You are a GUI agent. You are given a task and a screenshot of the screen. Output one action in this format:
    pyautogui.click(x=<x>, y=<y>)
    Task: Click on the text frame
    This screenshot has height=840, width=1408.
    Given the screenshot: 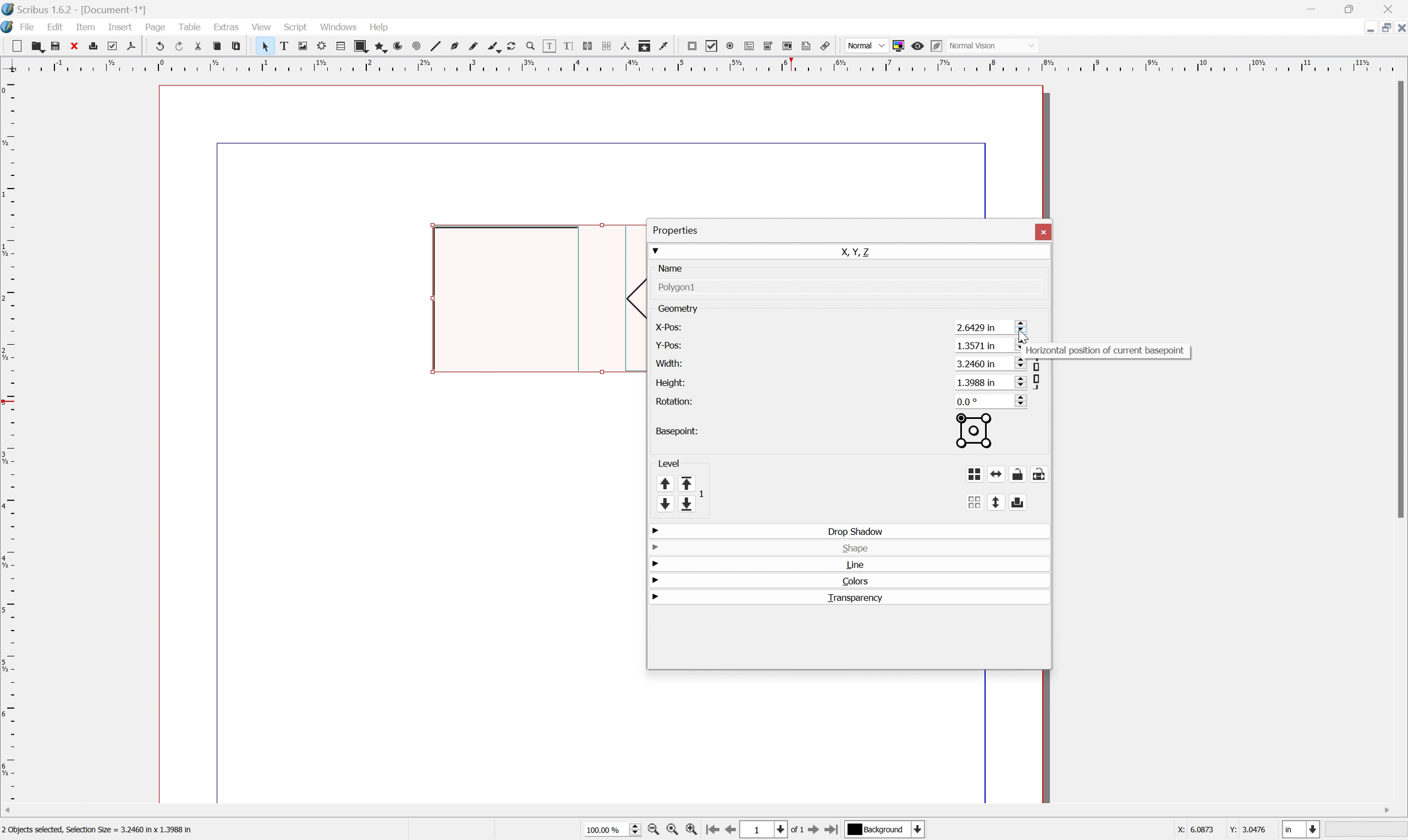 What is the action you would take?
    pyautogui.click(x=281, y=46)
    